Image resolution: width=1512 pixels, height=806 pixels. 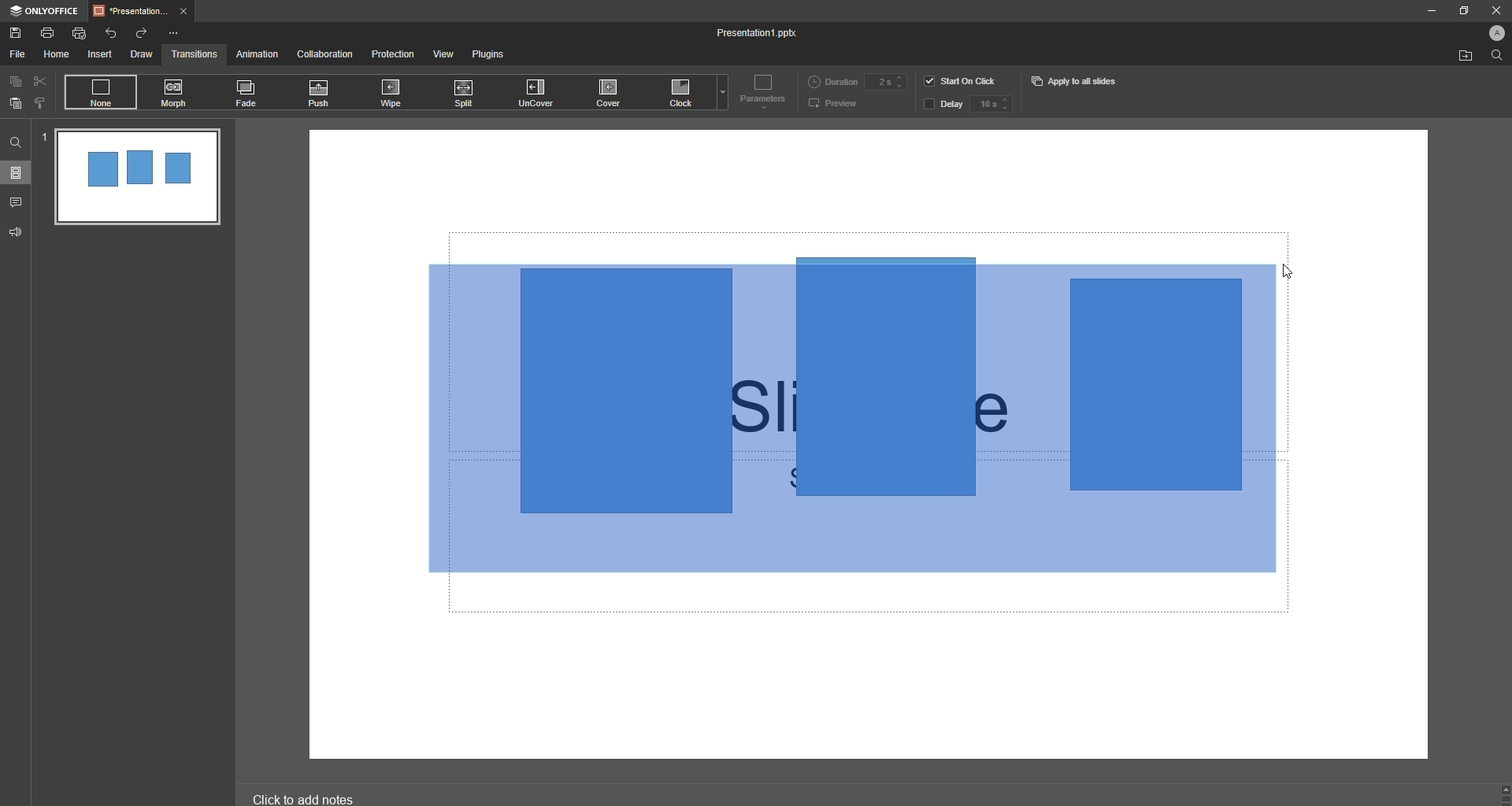 What do you see at coordinates (176, 93) in the screenshot?
I see `Morph` at bounding box center [176, 93].